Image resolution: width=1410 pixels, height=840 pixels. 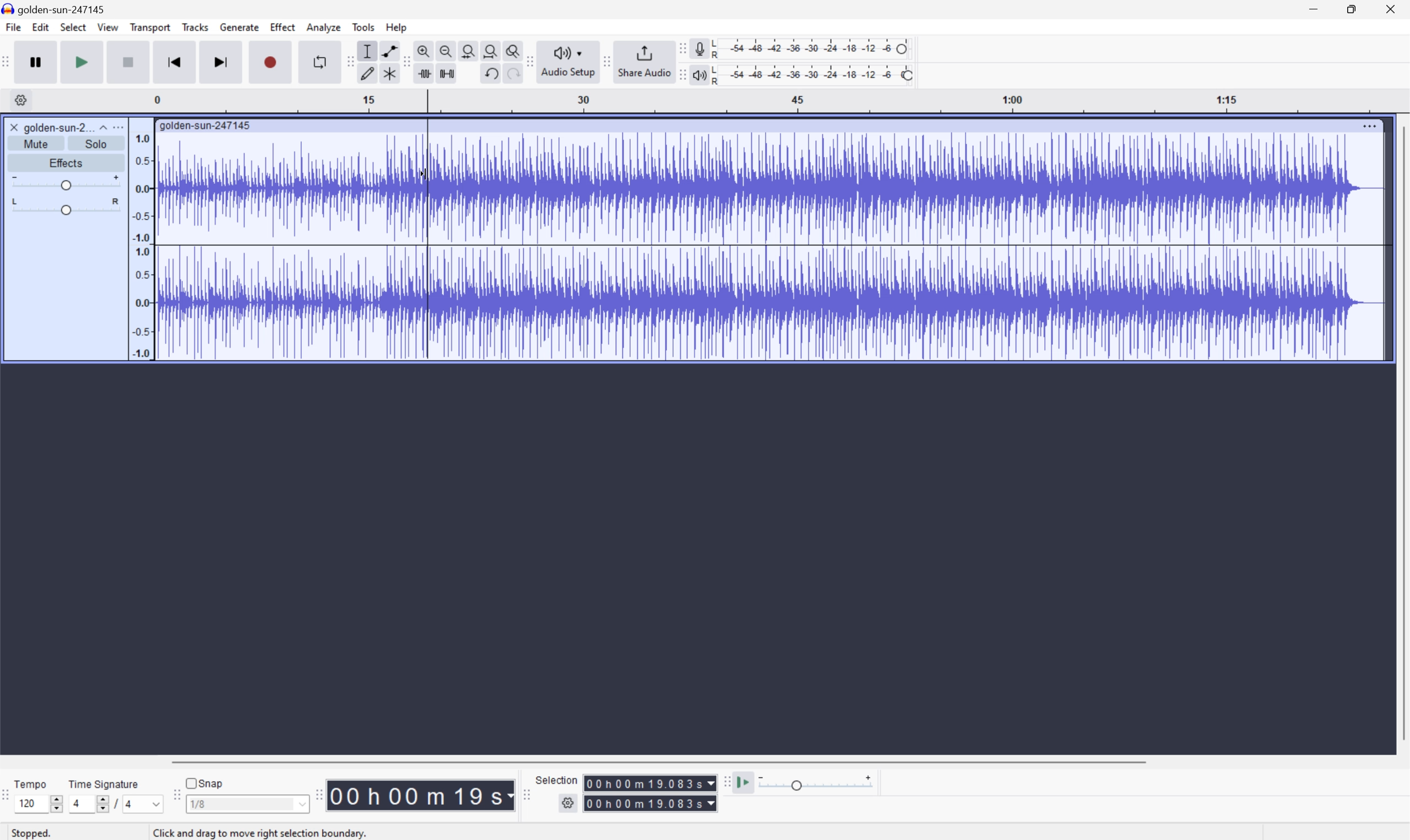 I want to click on Share Audio, so click(x=642, y=61).